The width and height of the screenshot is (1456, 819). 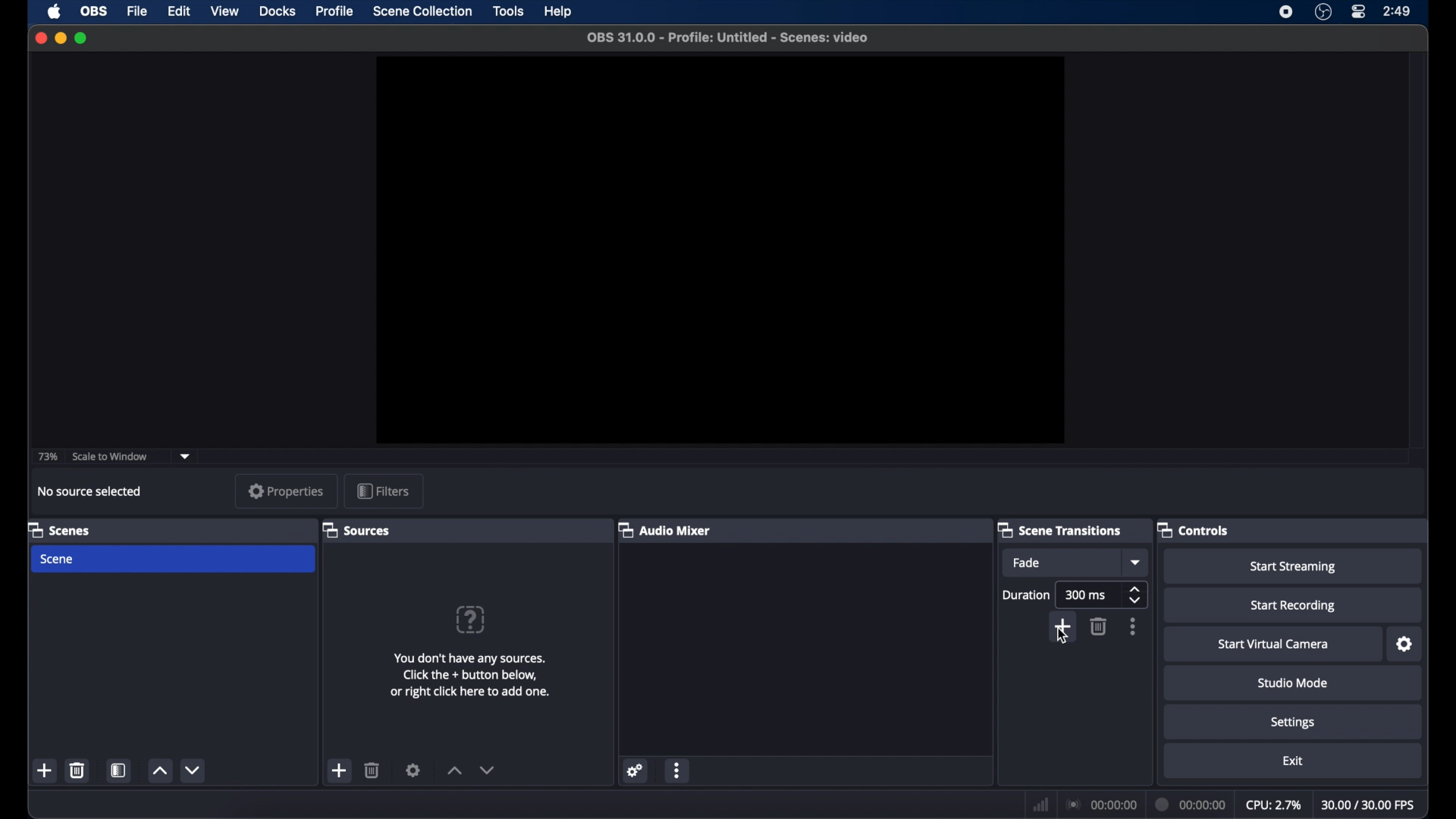 What do you see at coordinates (118, 771) in the screenshot?
I see `scene filters` at bounding box center [118, 771].